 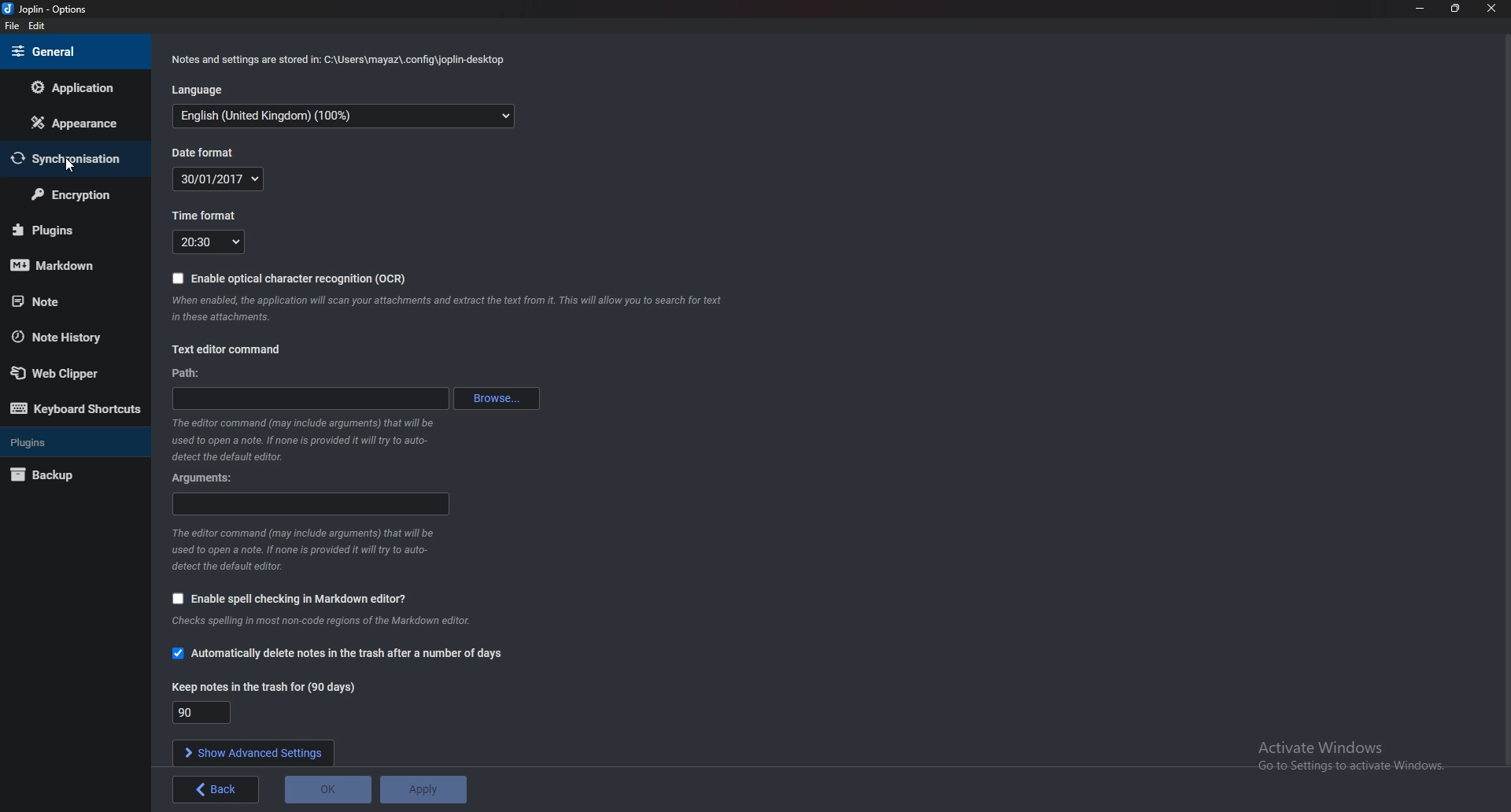 I want to click on arguments, so click(x=311, y=504).